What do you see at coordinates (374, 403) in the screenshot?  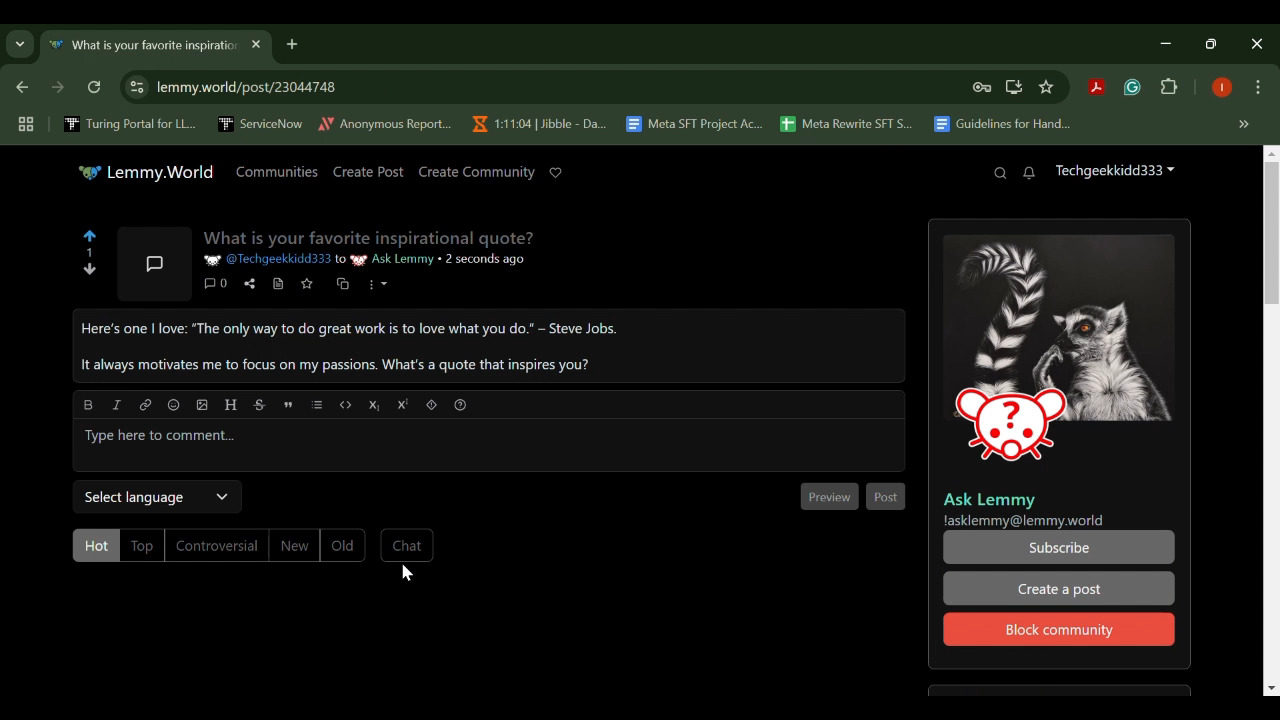 I see `Subscript` at bounding box center [374, 403].